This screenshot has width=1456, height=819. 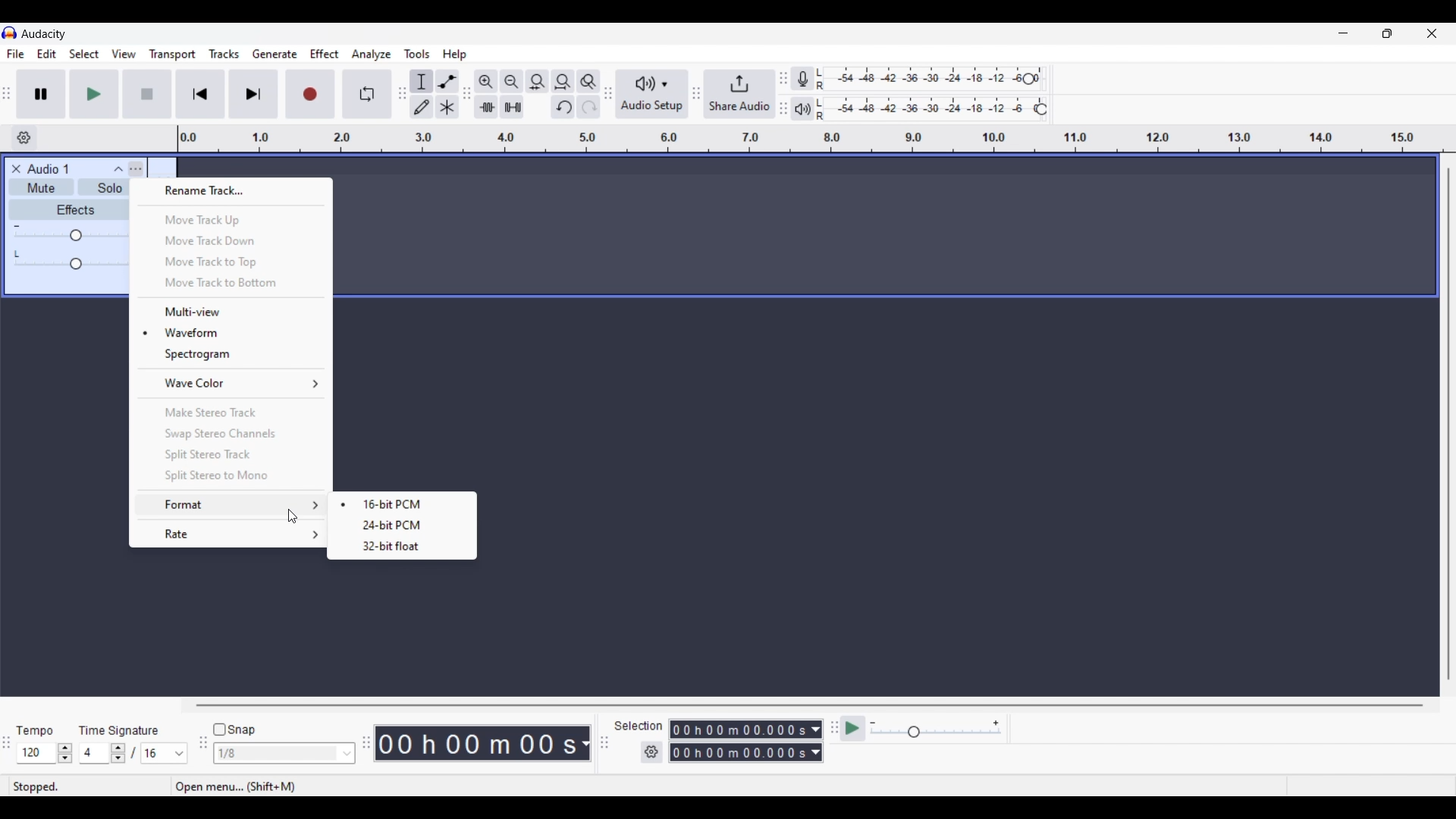 I want to click on Pause, so click(x=41, y=93).